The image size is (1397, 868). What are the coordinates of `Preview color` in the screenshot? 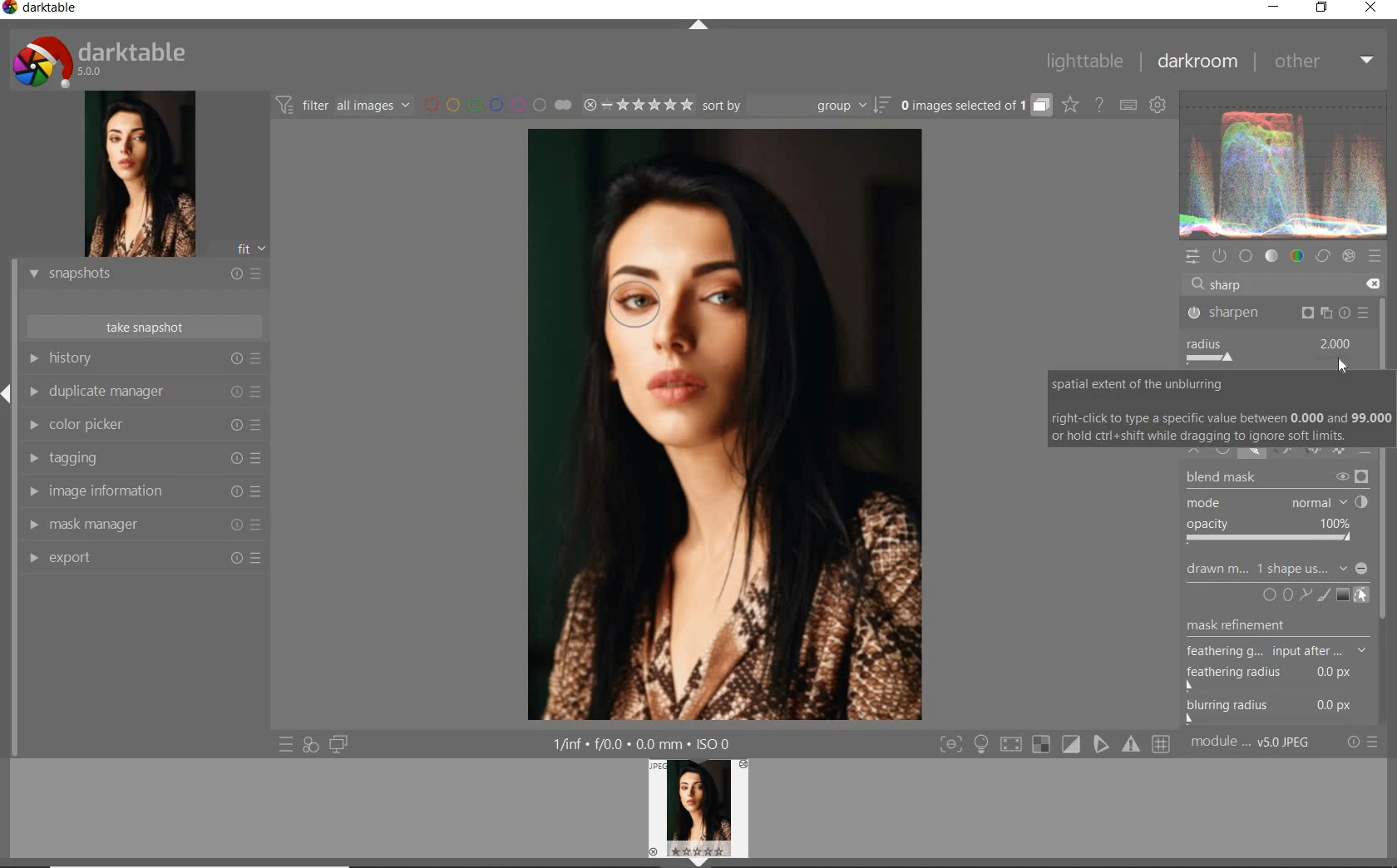 It's located at (1284, 162).